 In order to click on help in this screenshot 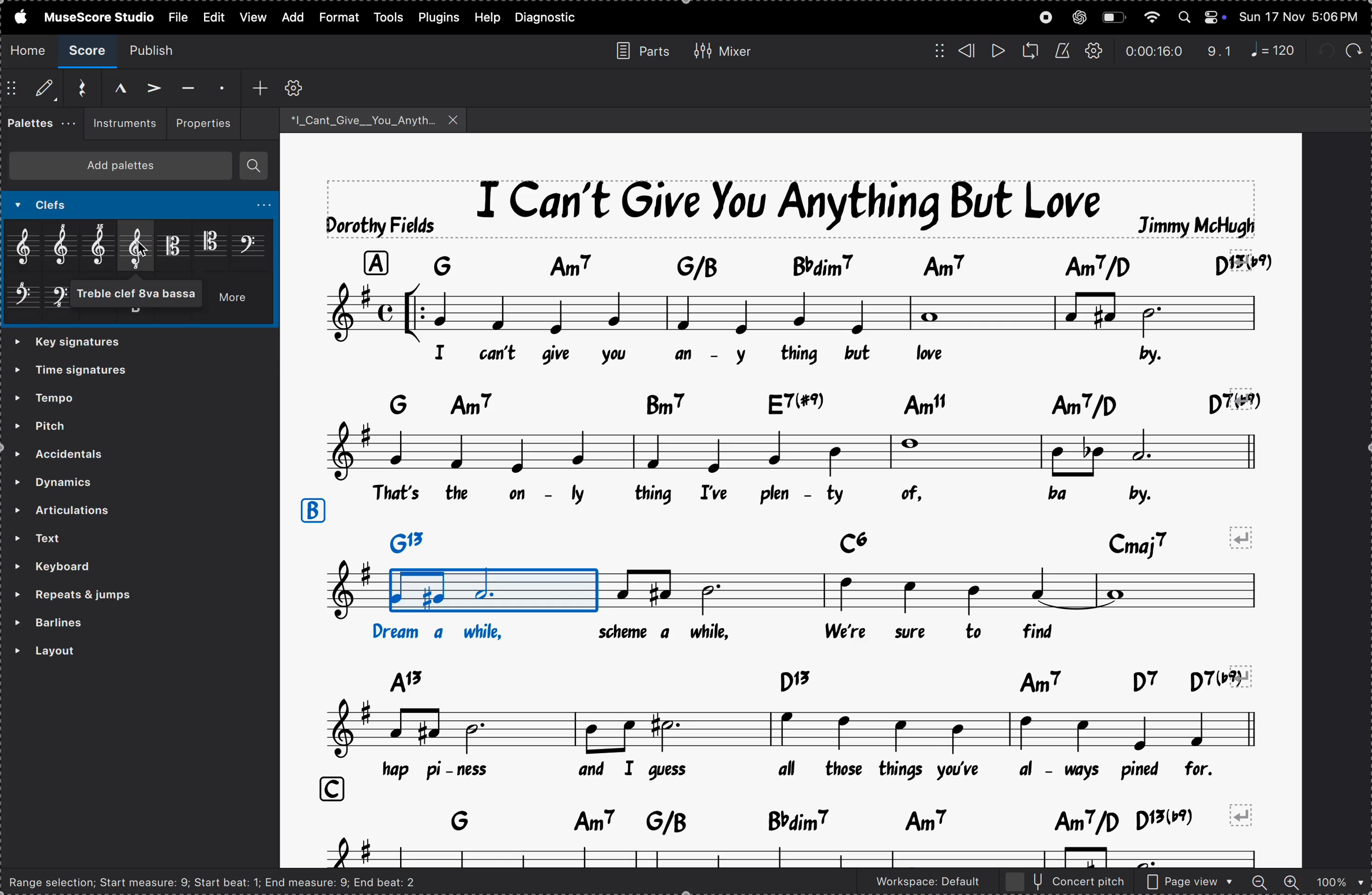, I will do `click(487, 17)`.